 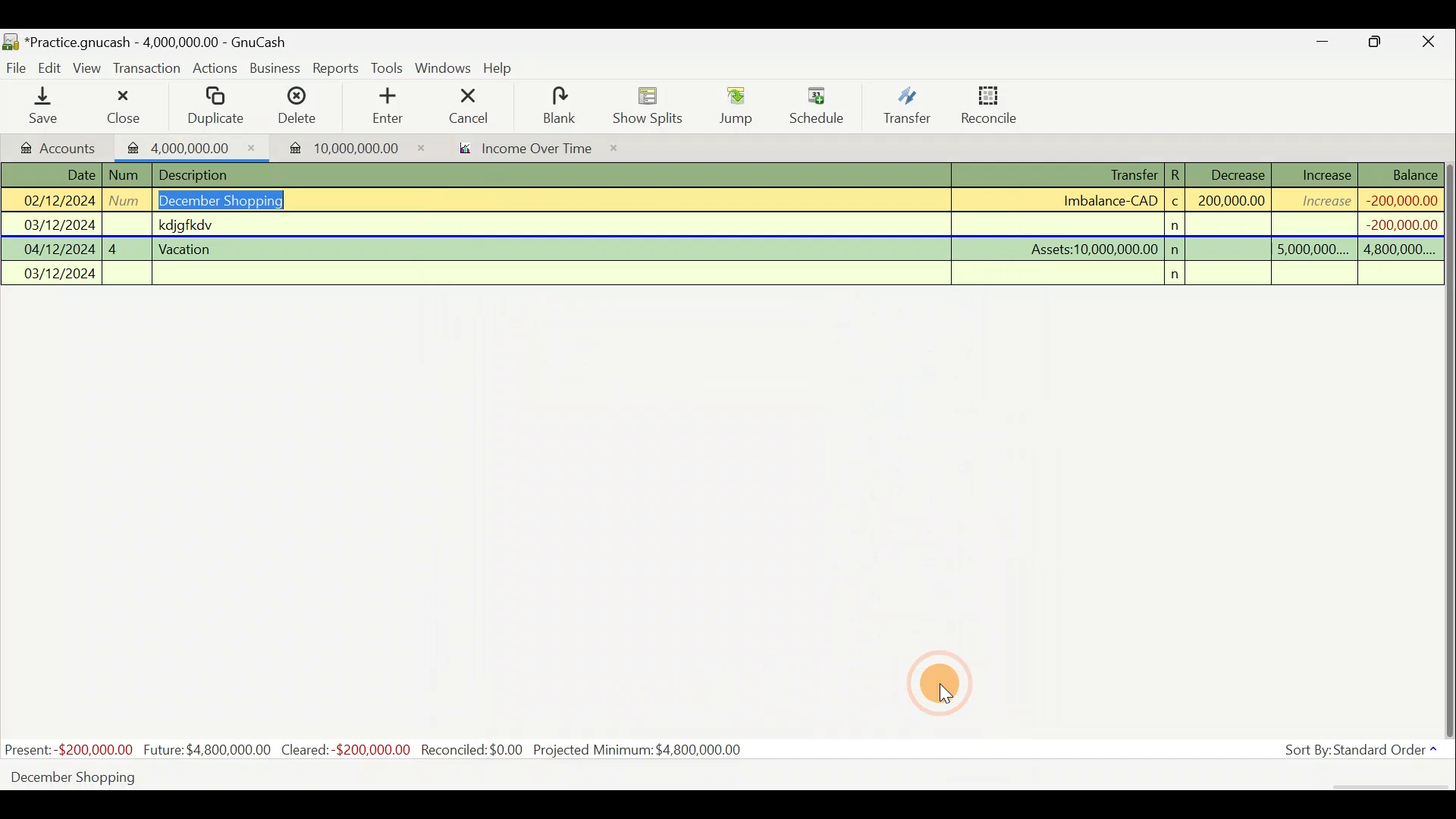 What do you see at coordinates (193, 146) in the screenshot?
I see `Imported transaction 1` at bounding box center [193, 146].